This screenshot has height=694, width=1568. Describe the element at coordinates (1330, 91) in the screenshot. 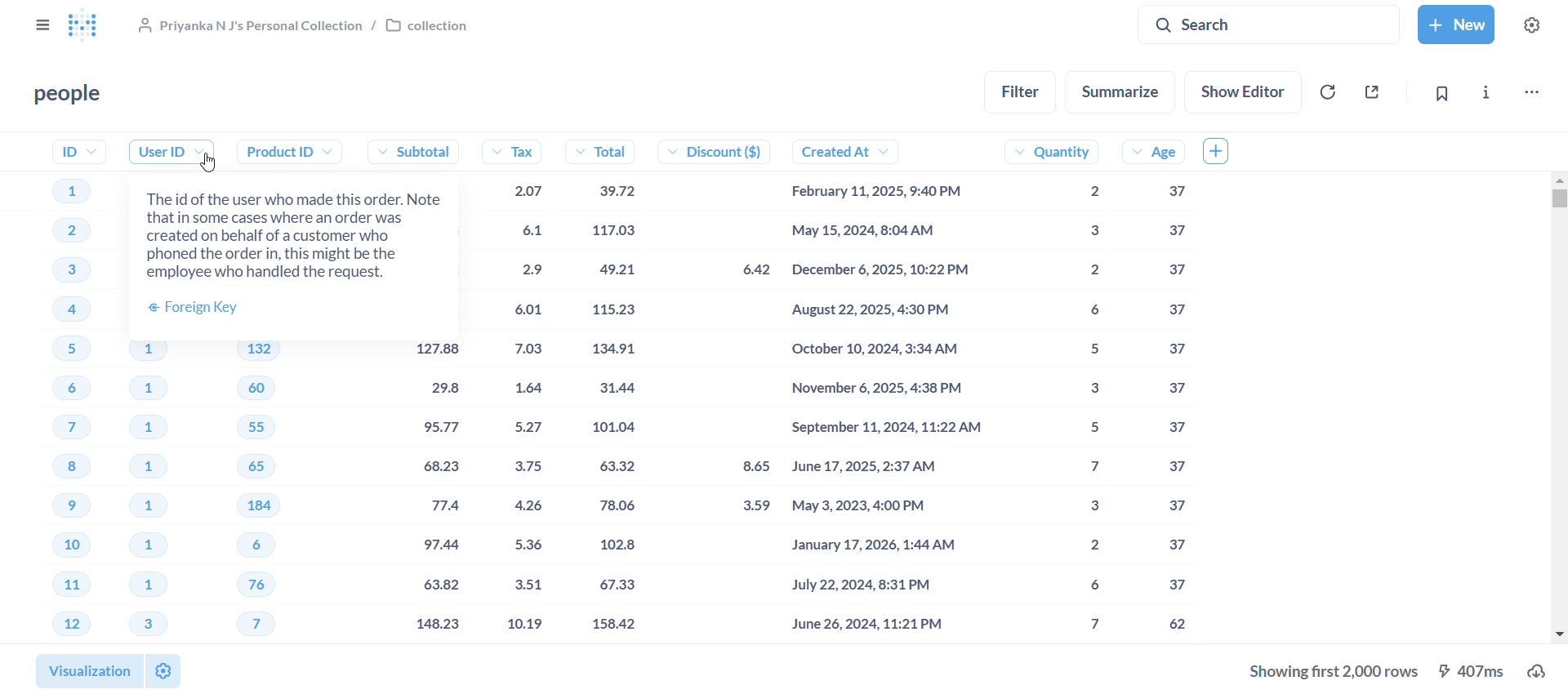

I see `auto-refresh` at that location.